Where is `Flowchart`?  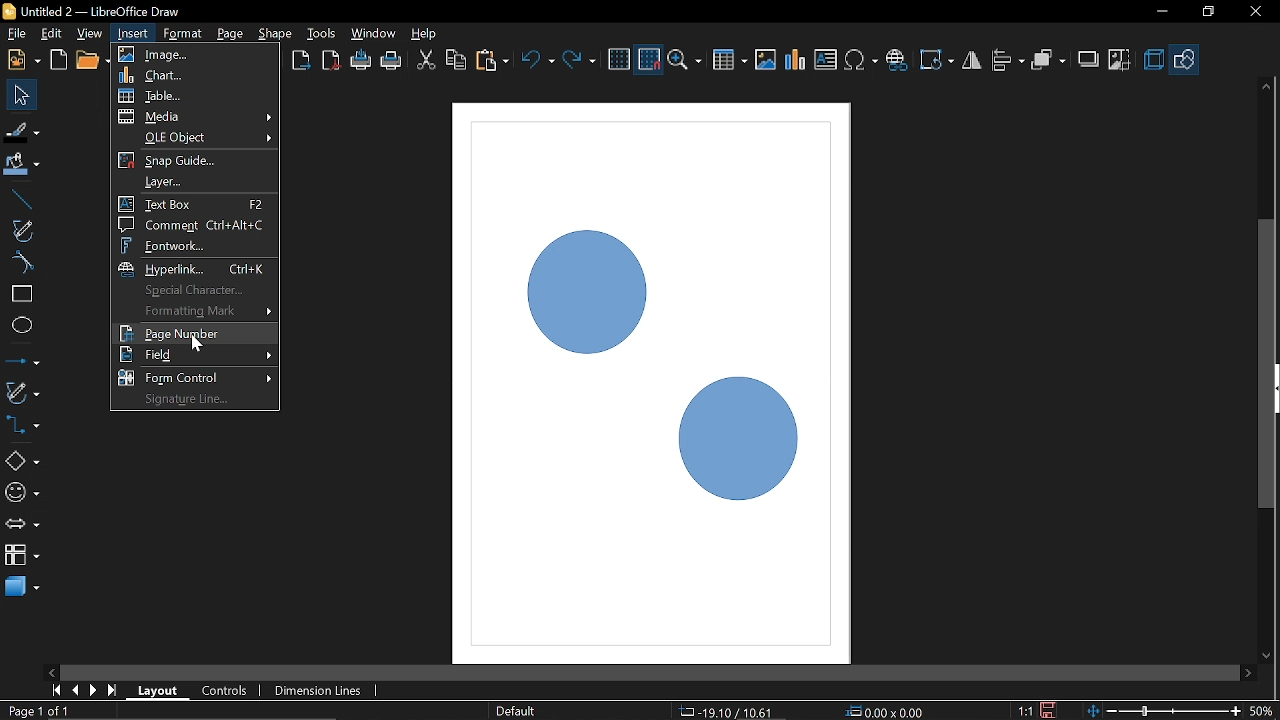
Flowchart is located at coordinates (22, 552).